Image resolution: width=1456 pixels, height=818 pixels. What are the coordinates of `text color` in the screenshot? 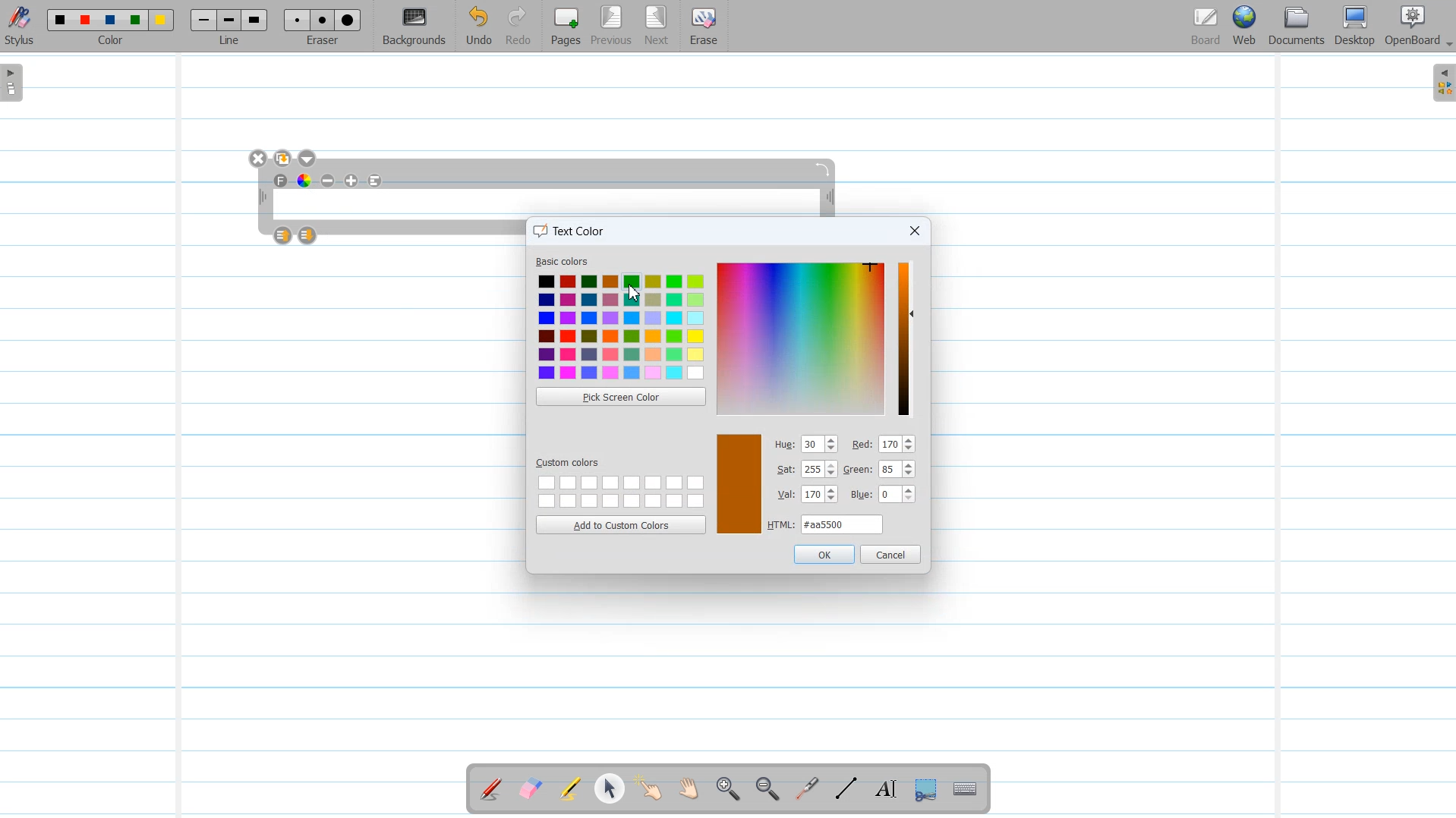 It's located at (573, 229).